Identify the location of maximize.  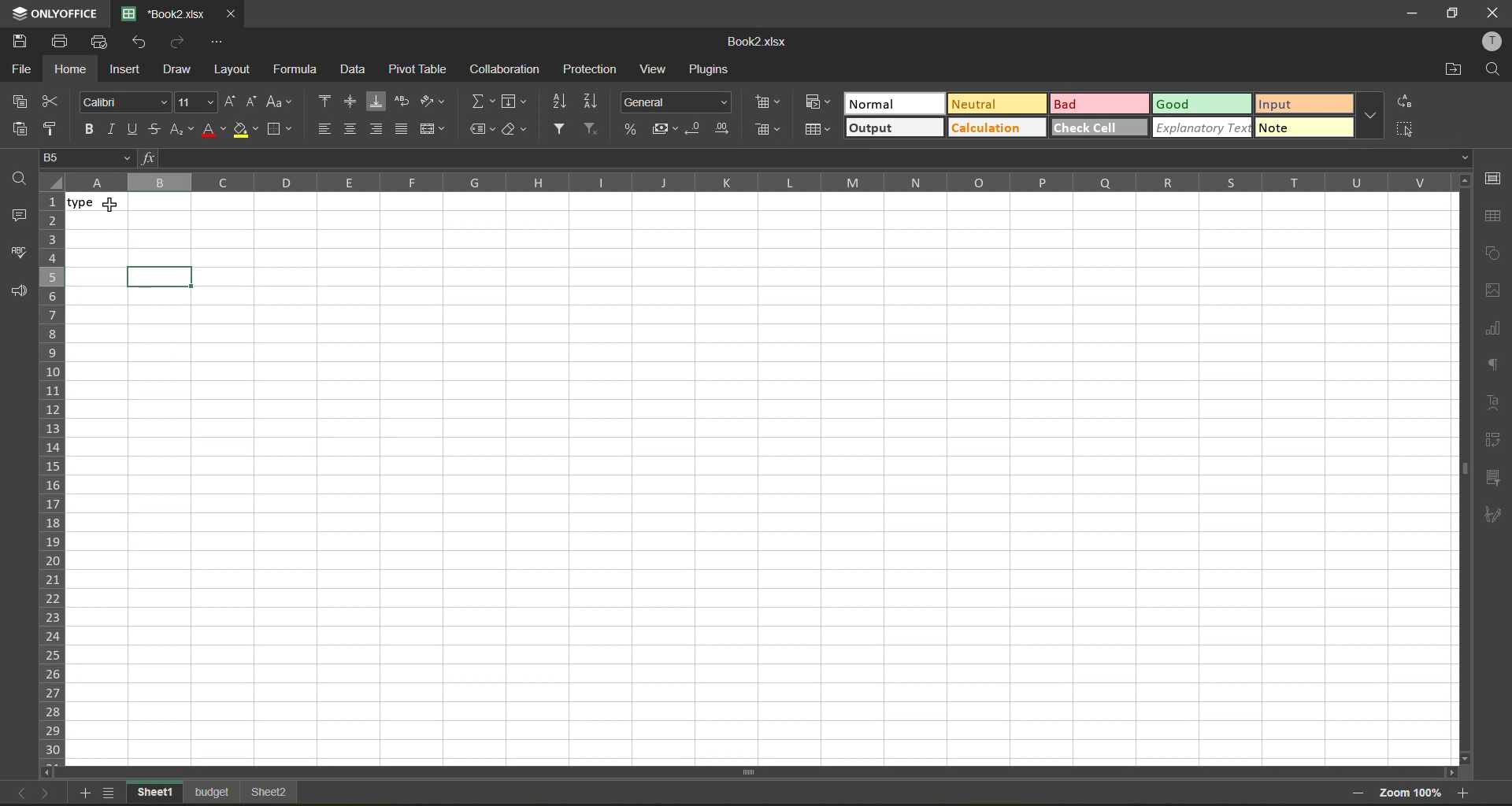
(1455, 12).